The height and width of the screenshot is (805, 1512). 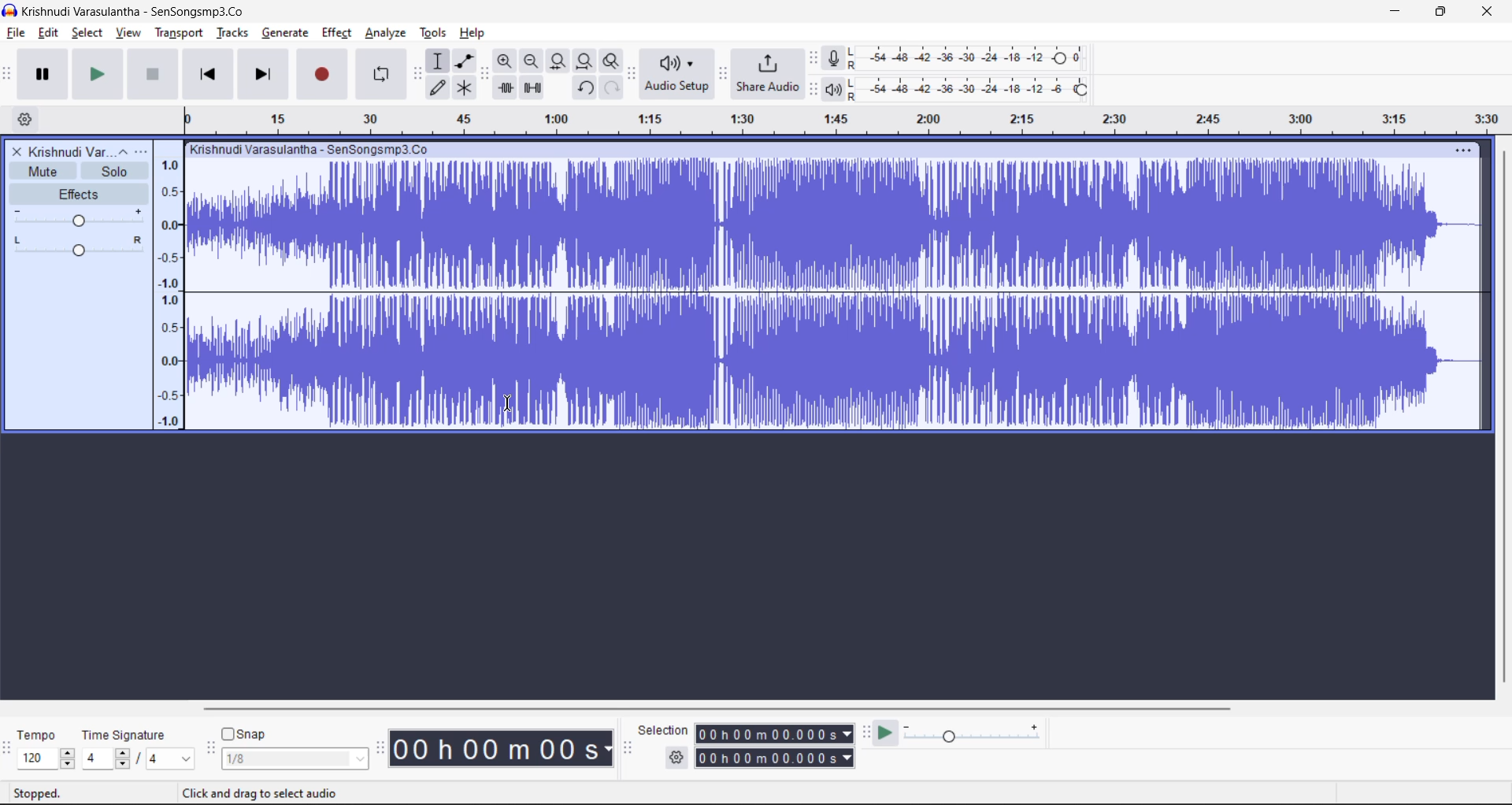 What do you see at coordinates (614, 61) in the screenshot?
I see `zoom toggle` at bounding box center [614, 61].